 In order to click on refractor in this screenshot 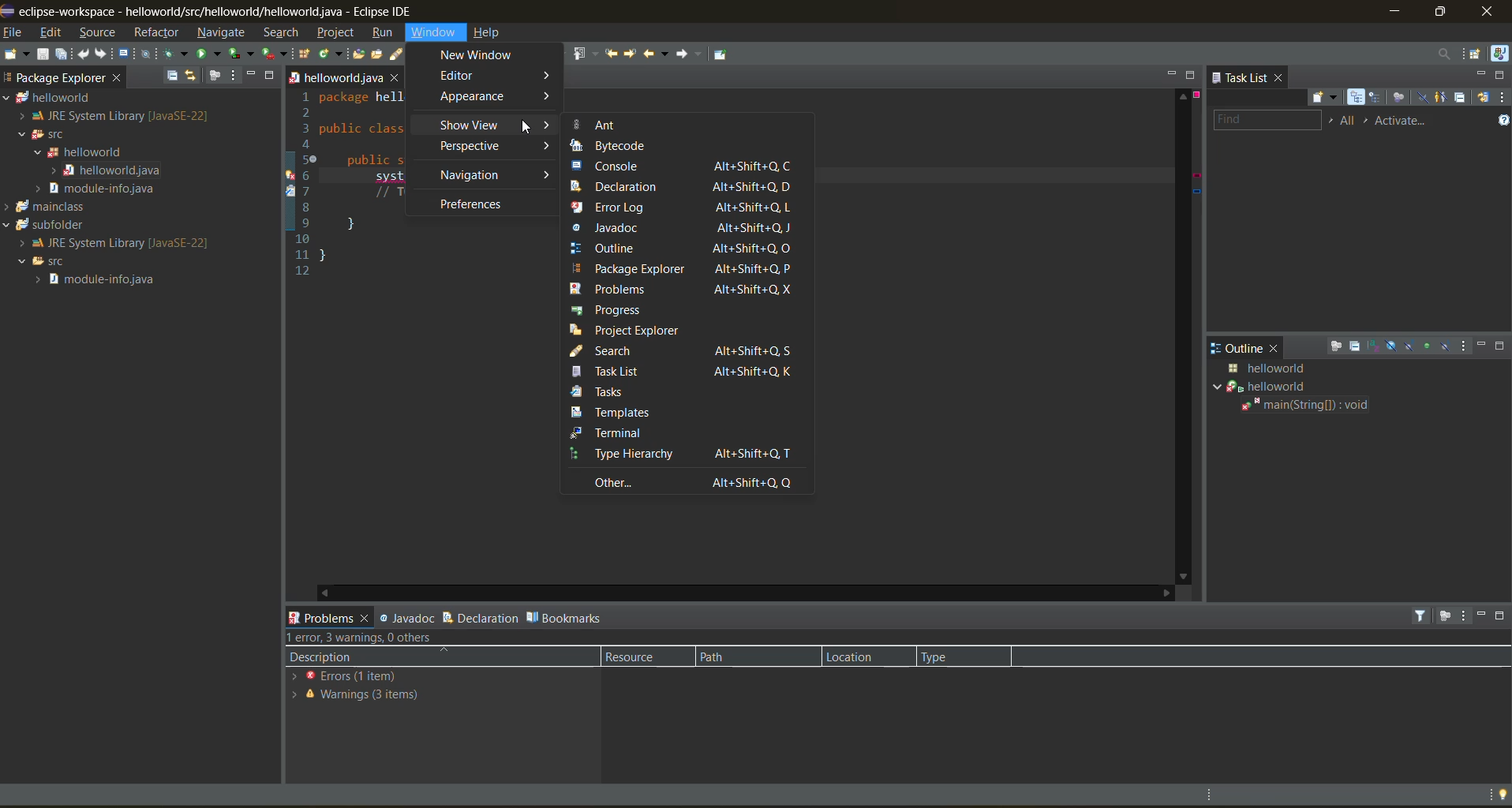, I will do `click(155, 31)`.